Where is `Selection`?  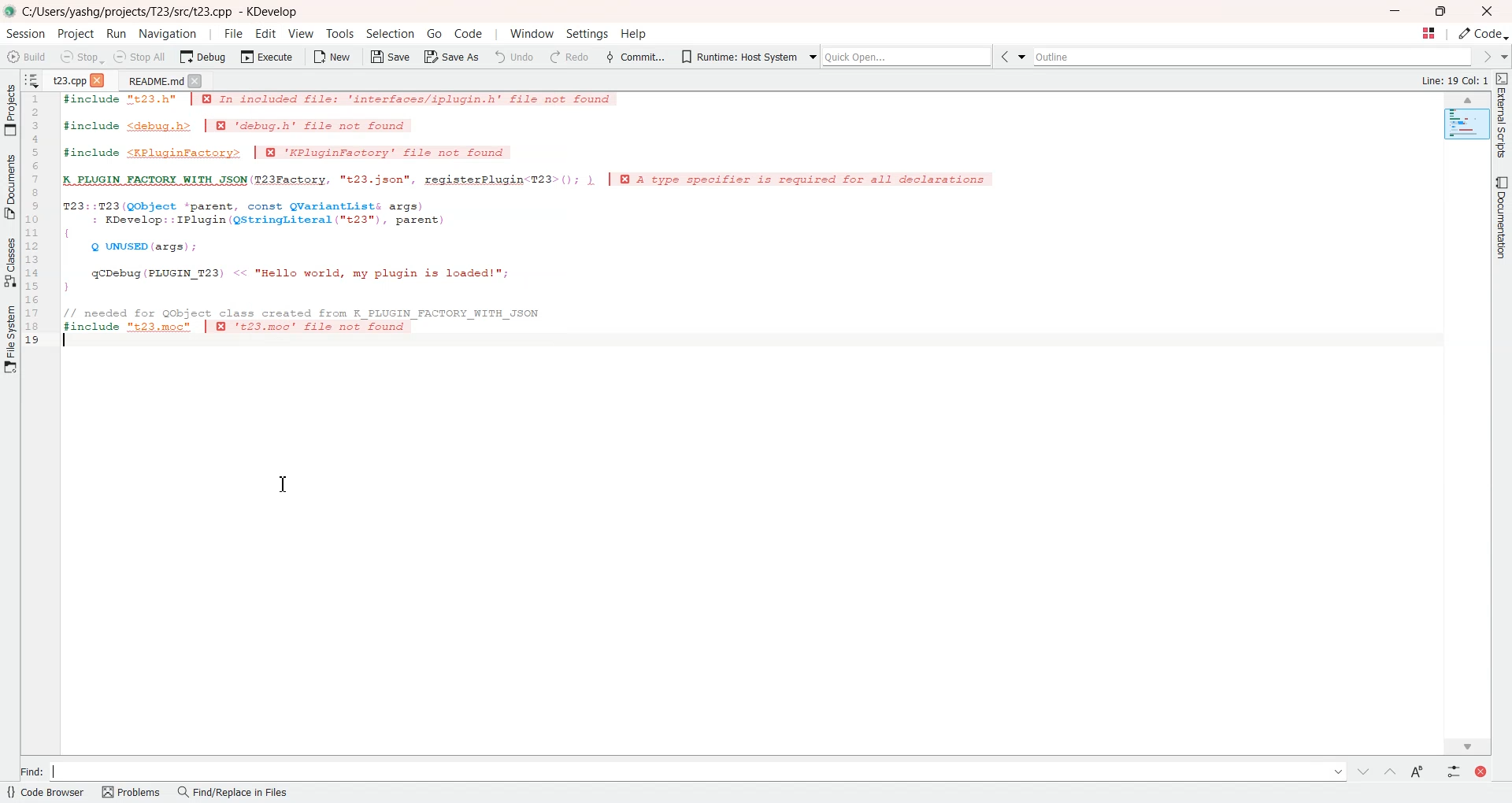
Selection is located at coordinates (391, 34).